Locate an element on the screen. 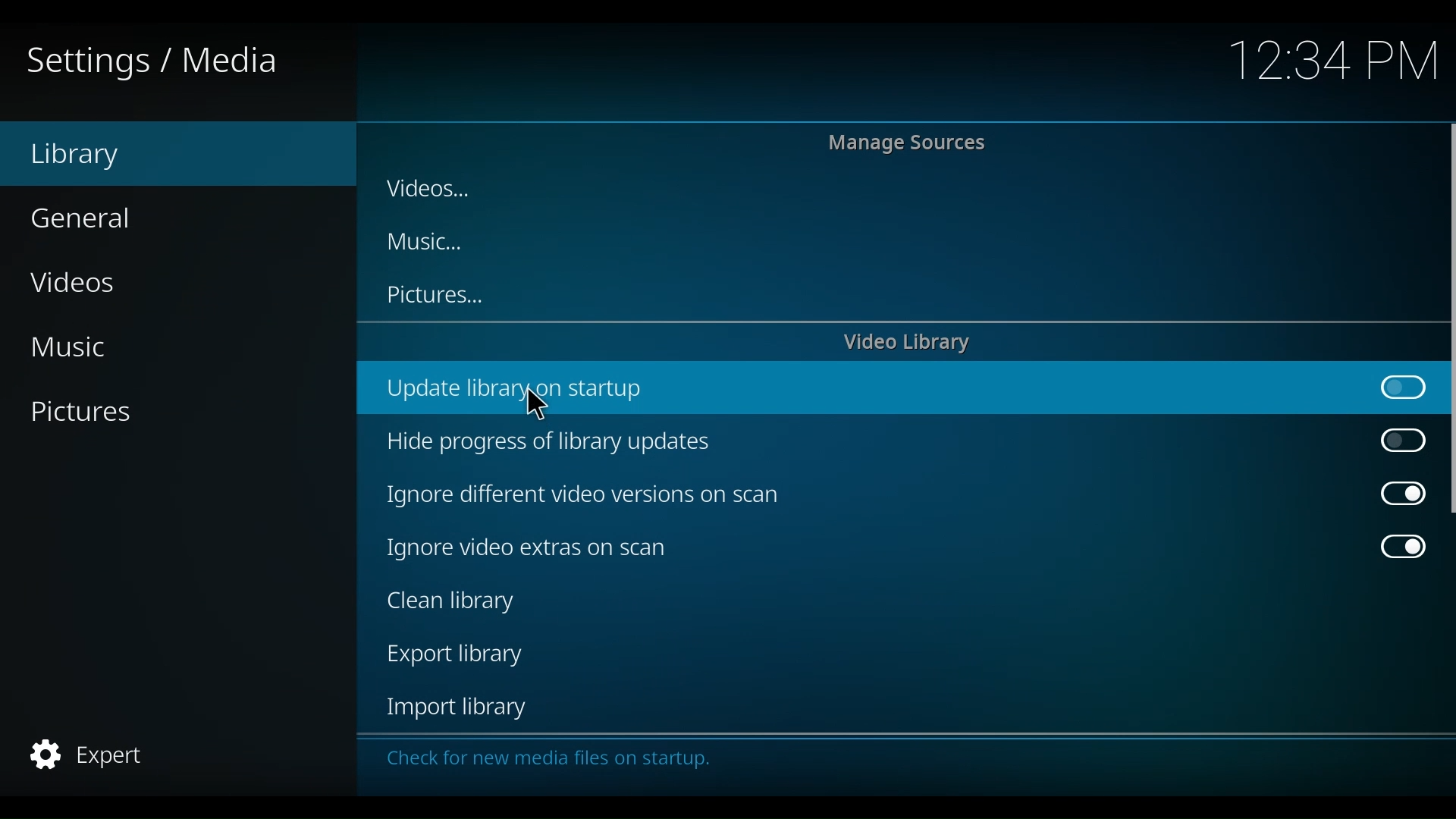 The width and height of the screenshot is (1456, 819). Pictures is located at coordinates (438, 297).